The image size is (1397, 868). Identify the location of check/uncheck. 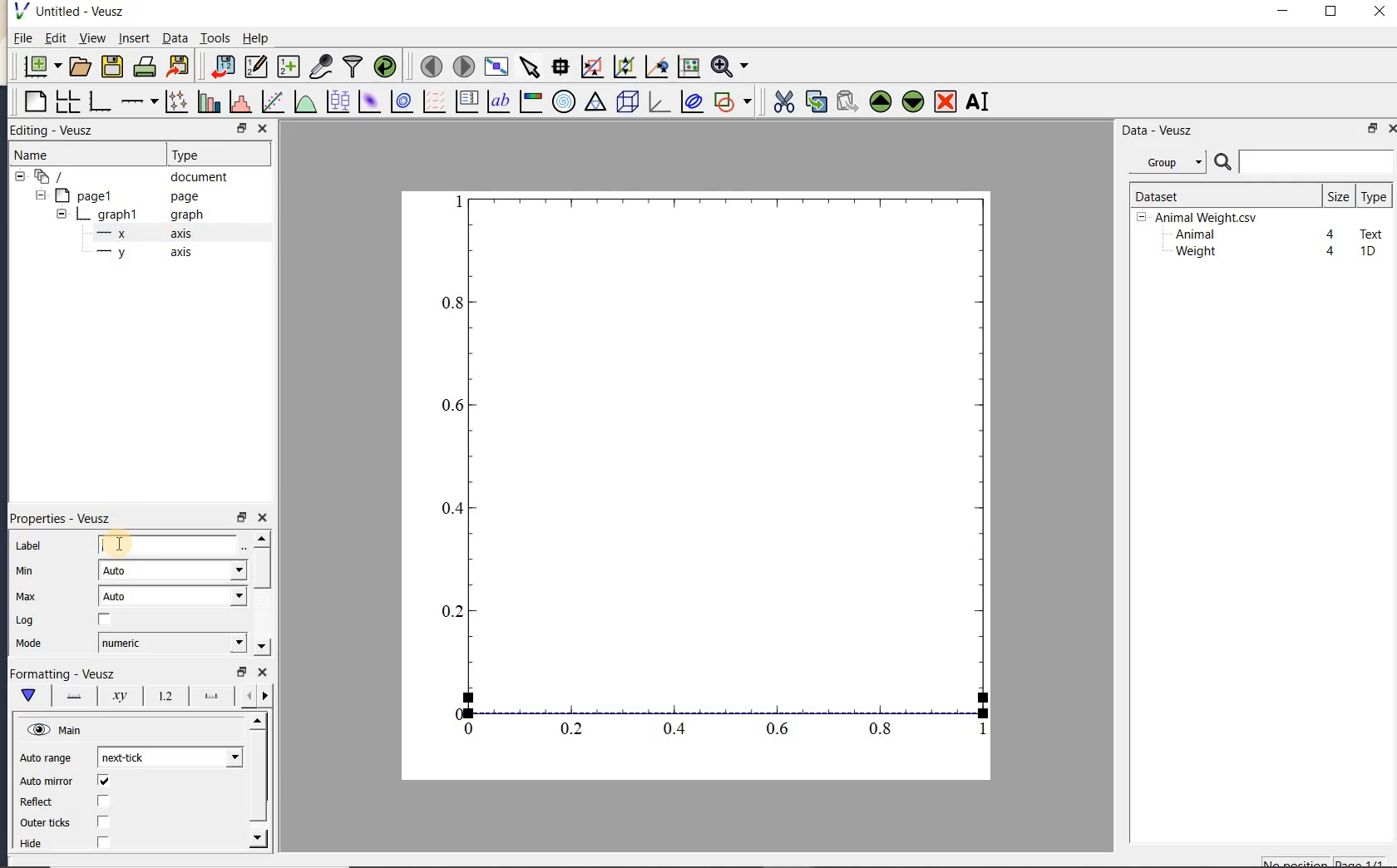
(103, 781).